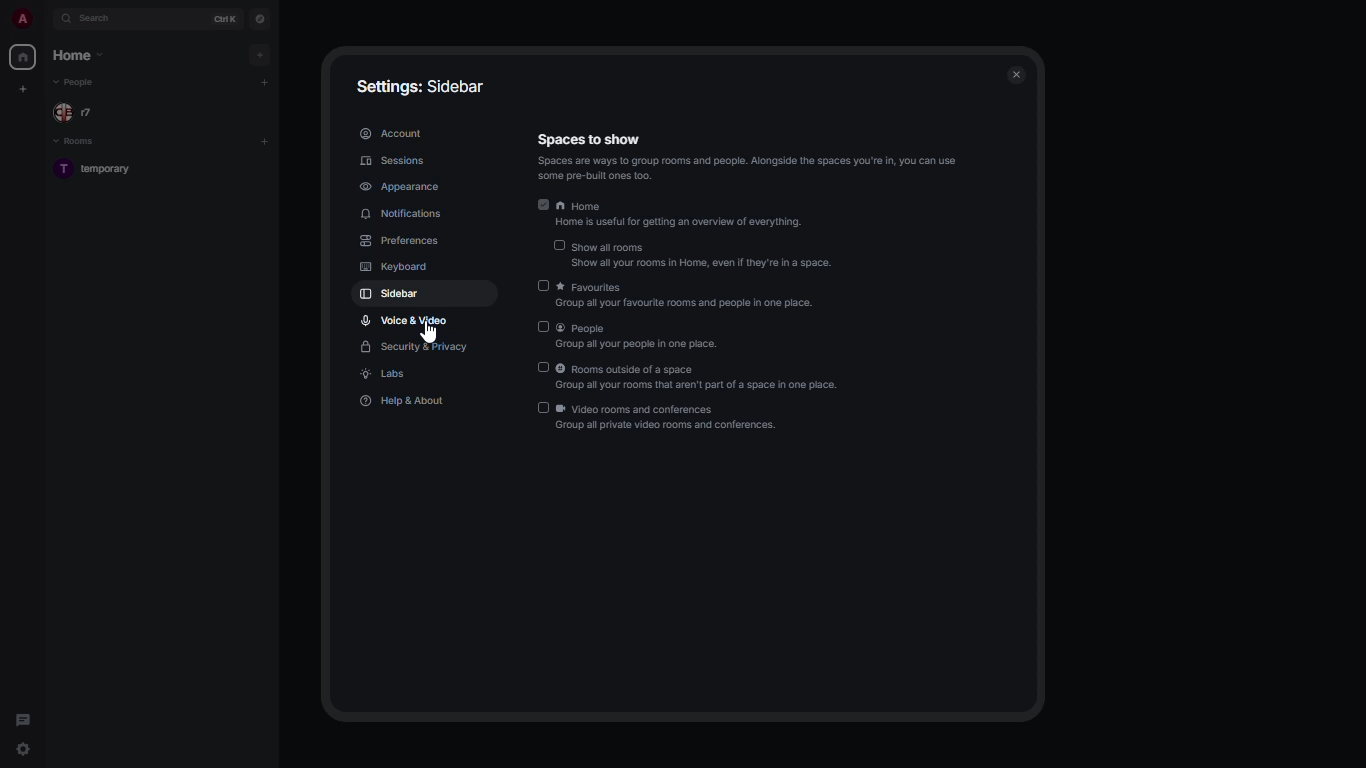 This screenshot has width=1366, height=768. I want to click on help & about, so click(404, 402).